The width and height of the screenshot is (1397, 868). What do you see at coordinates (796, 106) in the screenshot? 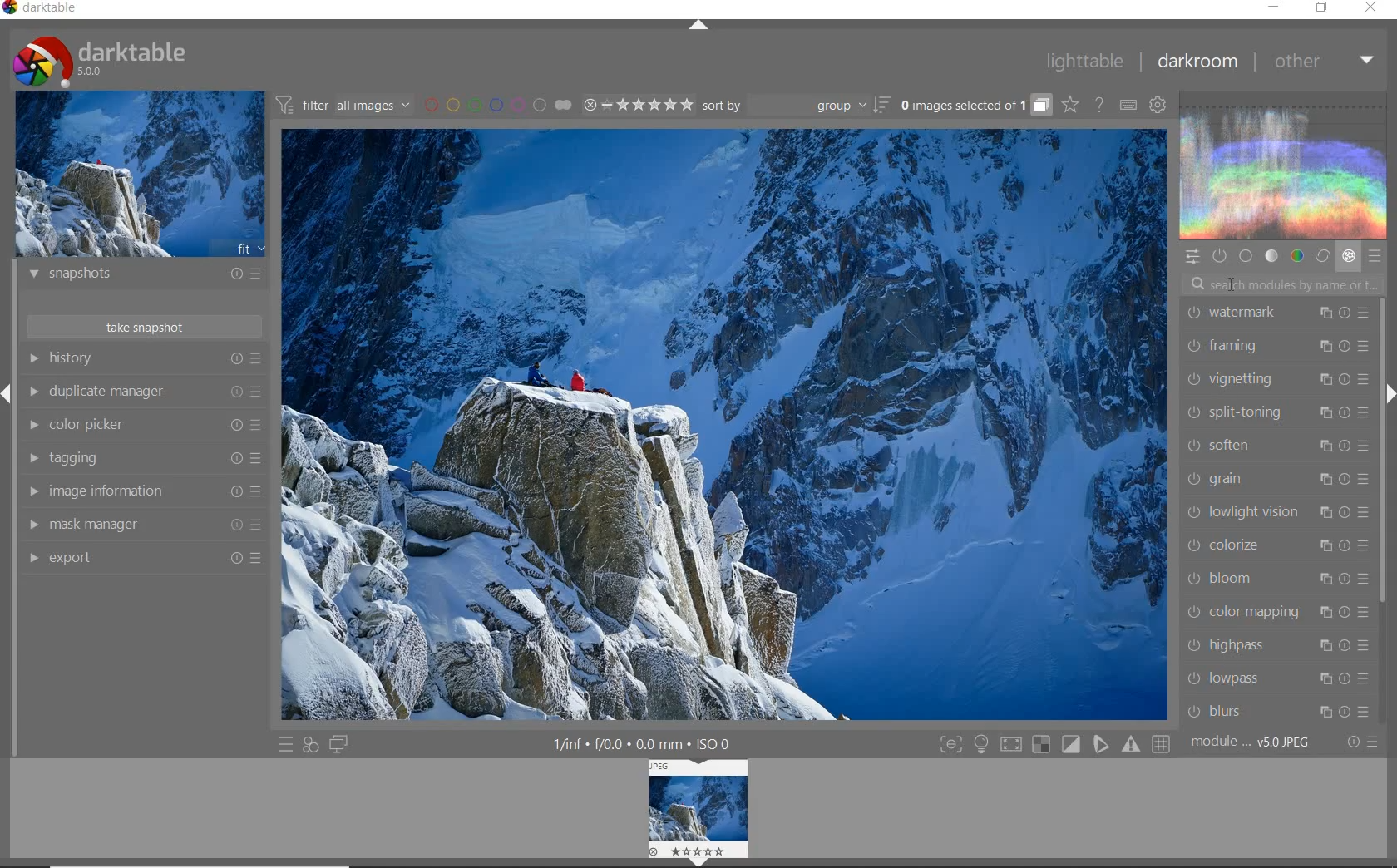
I see `sort` at bounding box center [796, 106].